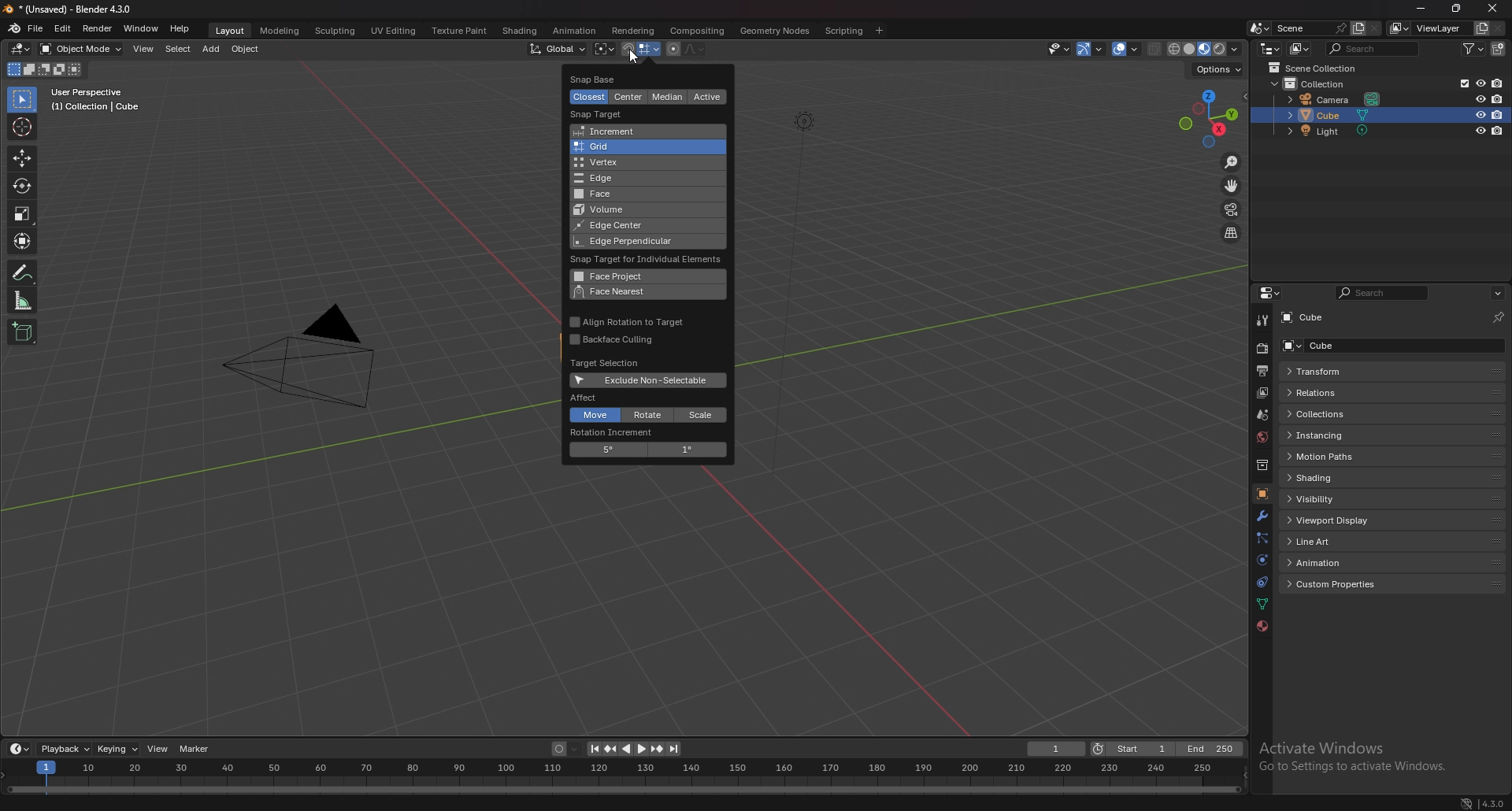  Describe the element at coordinates (636, 54) in the screenshot. I see `cursor` at that location.